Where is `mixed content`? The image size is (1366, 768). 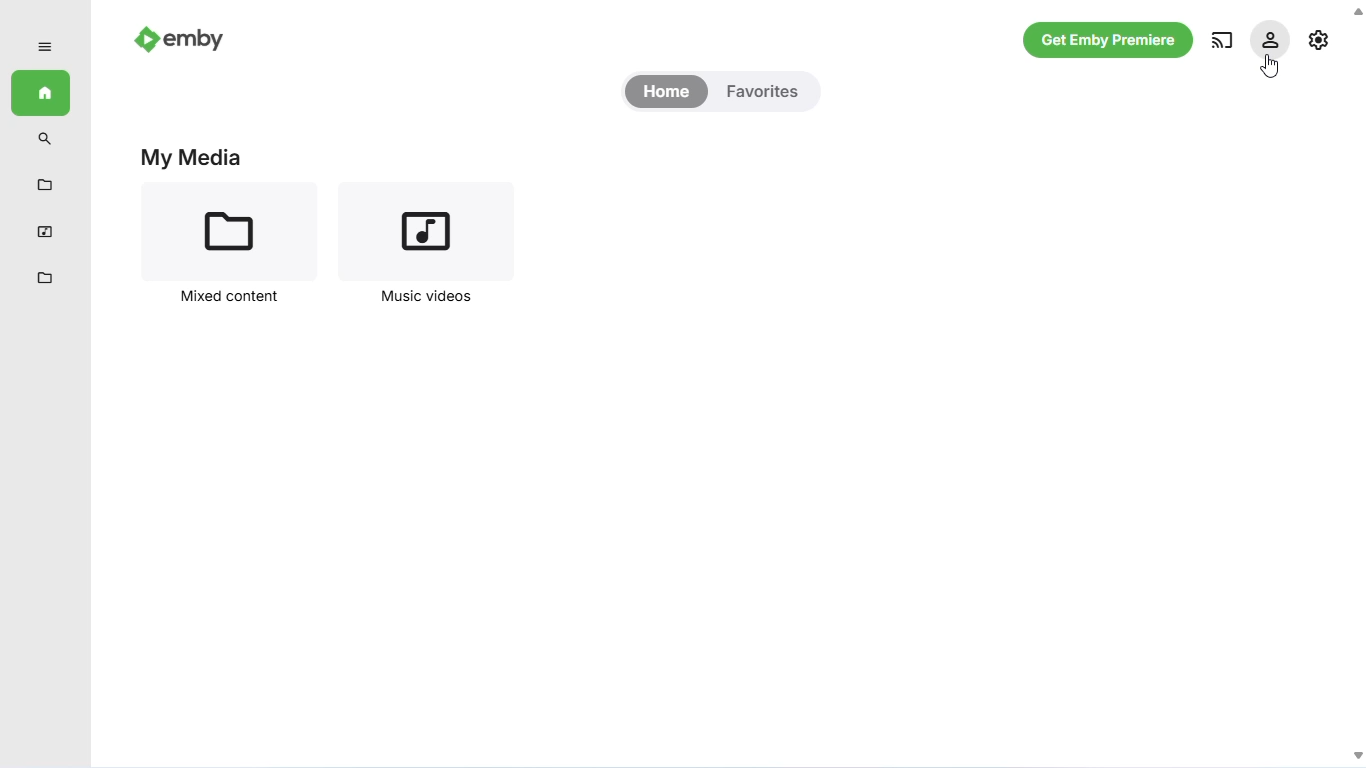
mixed content is located at coordinates (44, 185).